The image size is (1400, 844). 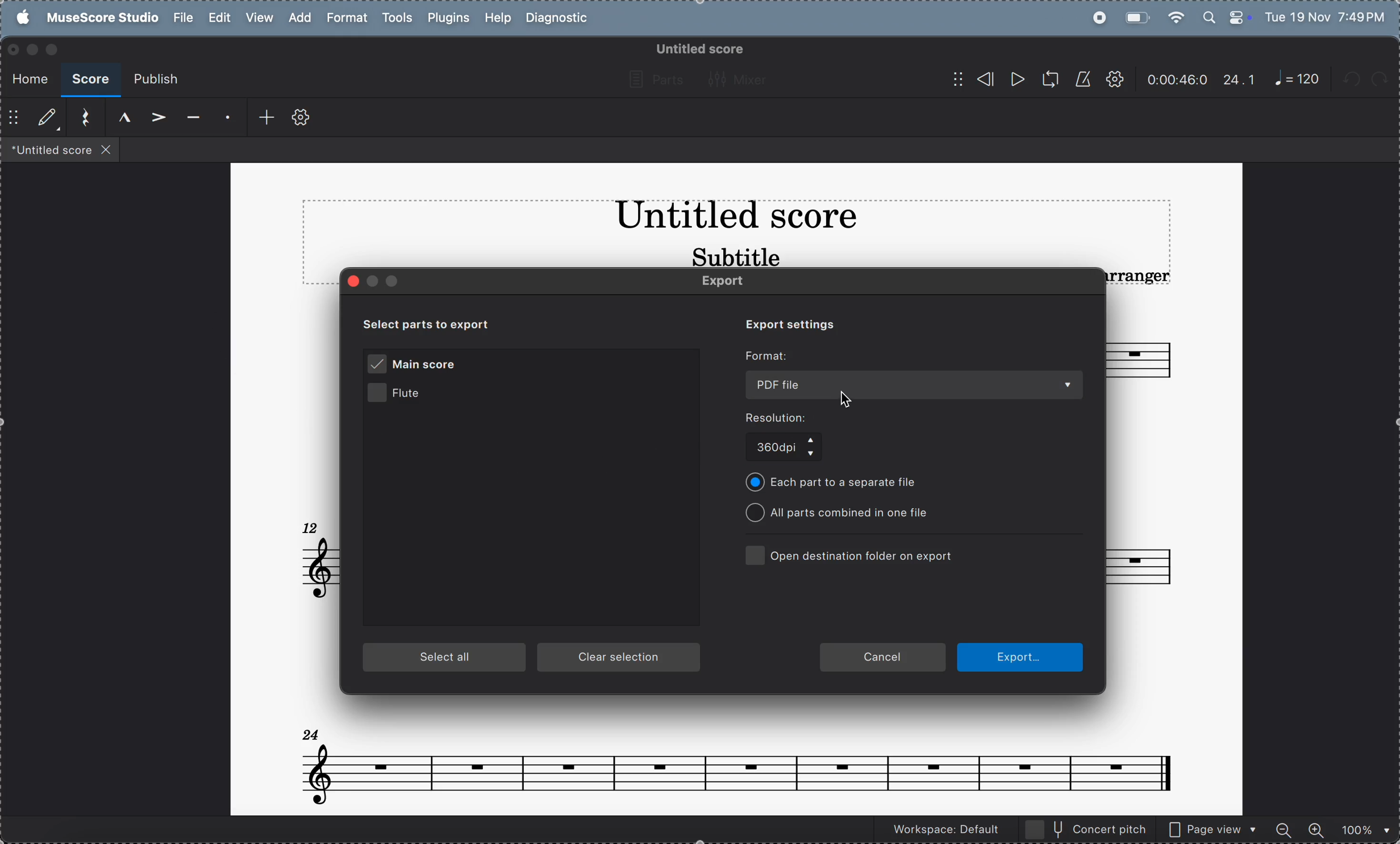 What do you see at coordinates (1114, 80) in the screenshot?
I see `settings` at bounding box center [1114, 80].